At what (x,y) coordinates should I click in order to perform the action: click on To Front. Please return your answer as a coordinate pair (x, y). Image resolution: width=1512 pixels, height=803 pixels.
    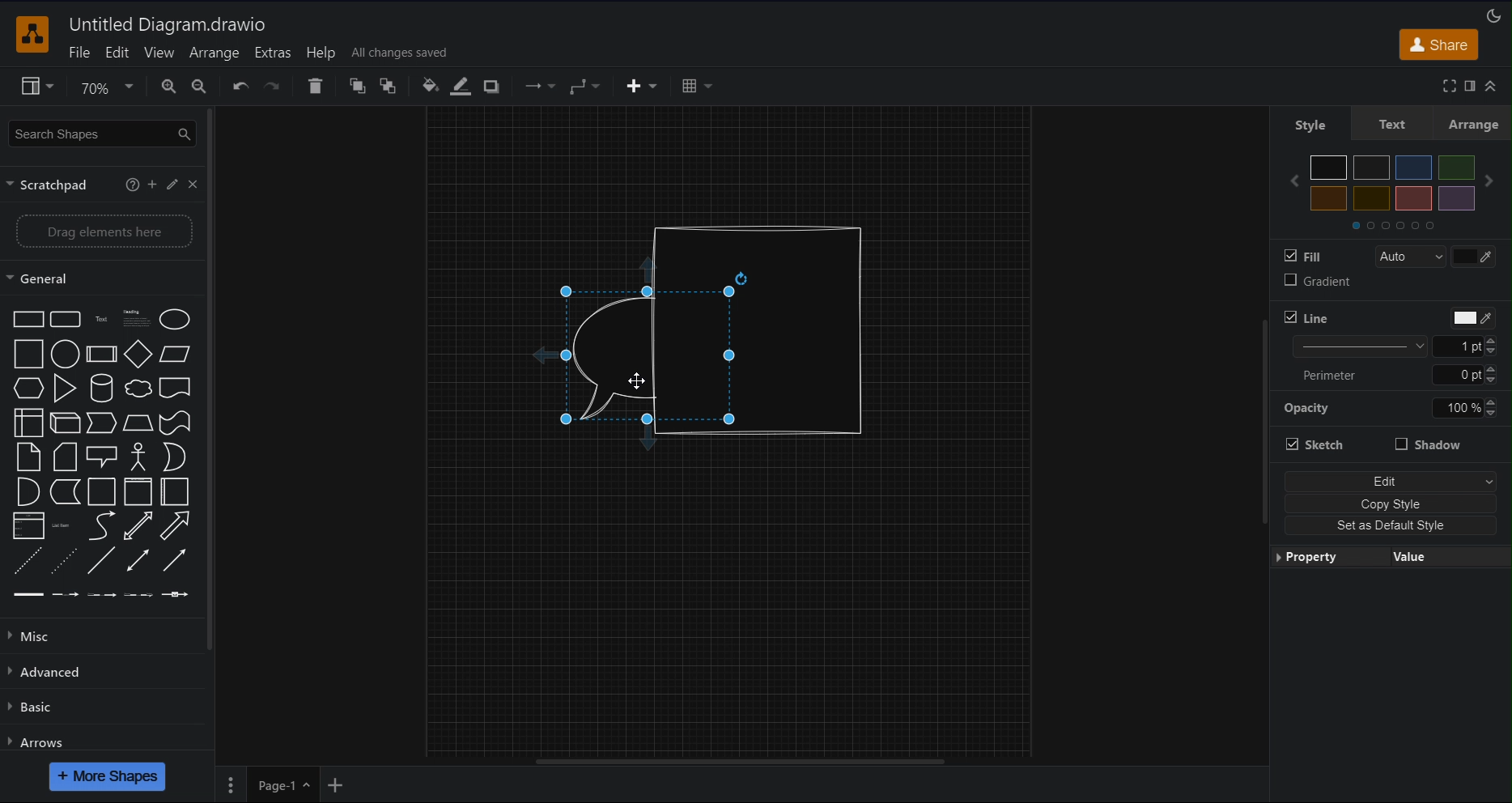
    Looking at the image, I should click on (358, 86).